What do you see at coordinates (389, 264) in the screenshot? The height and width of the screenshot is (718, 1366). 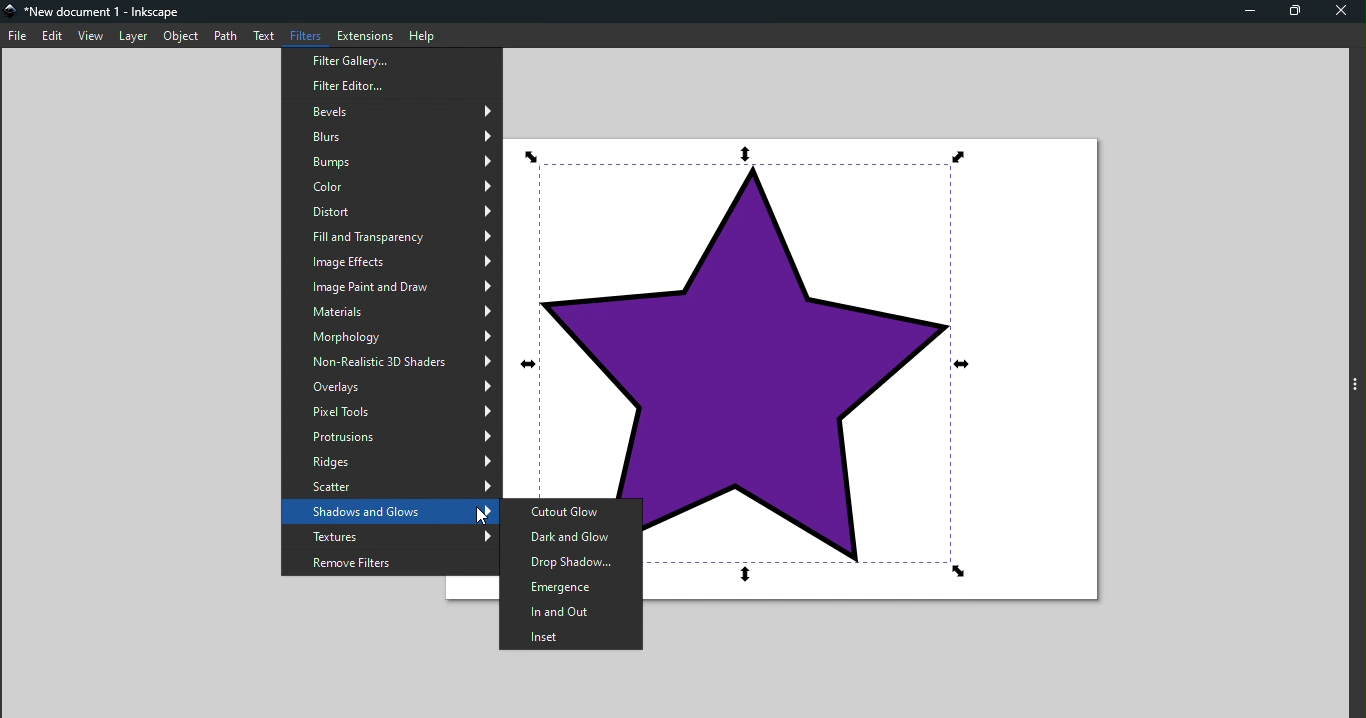 I see `Image effects` at bounding box center [389, 264].